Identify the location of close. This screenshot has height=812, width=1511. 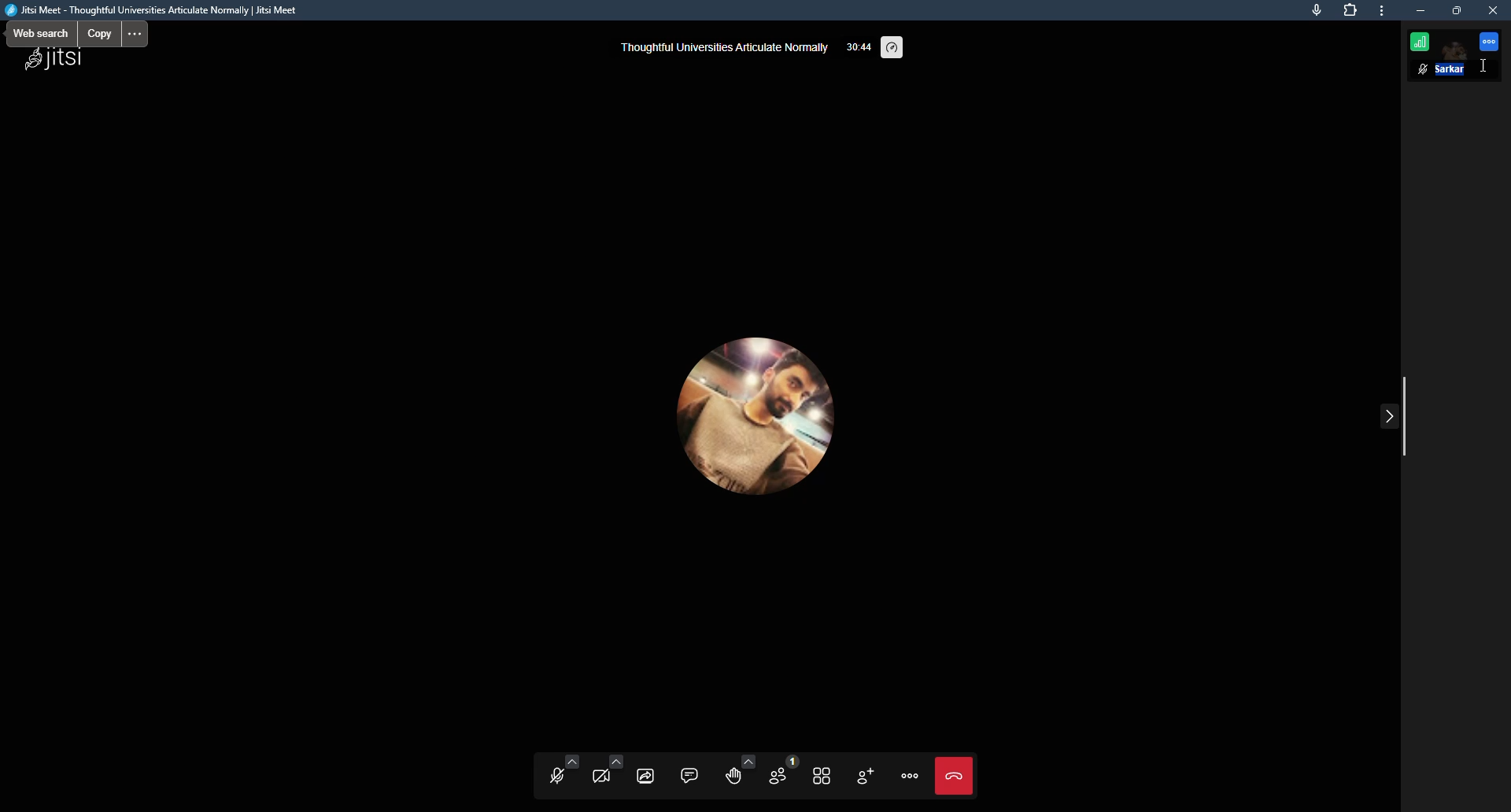
(1493, 12).